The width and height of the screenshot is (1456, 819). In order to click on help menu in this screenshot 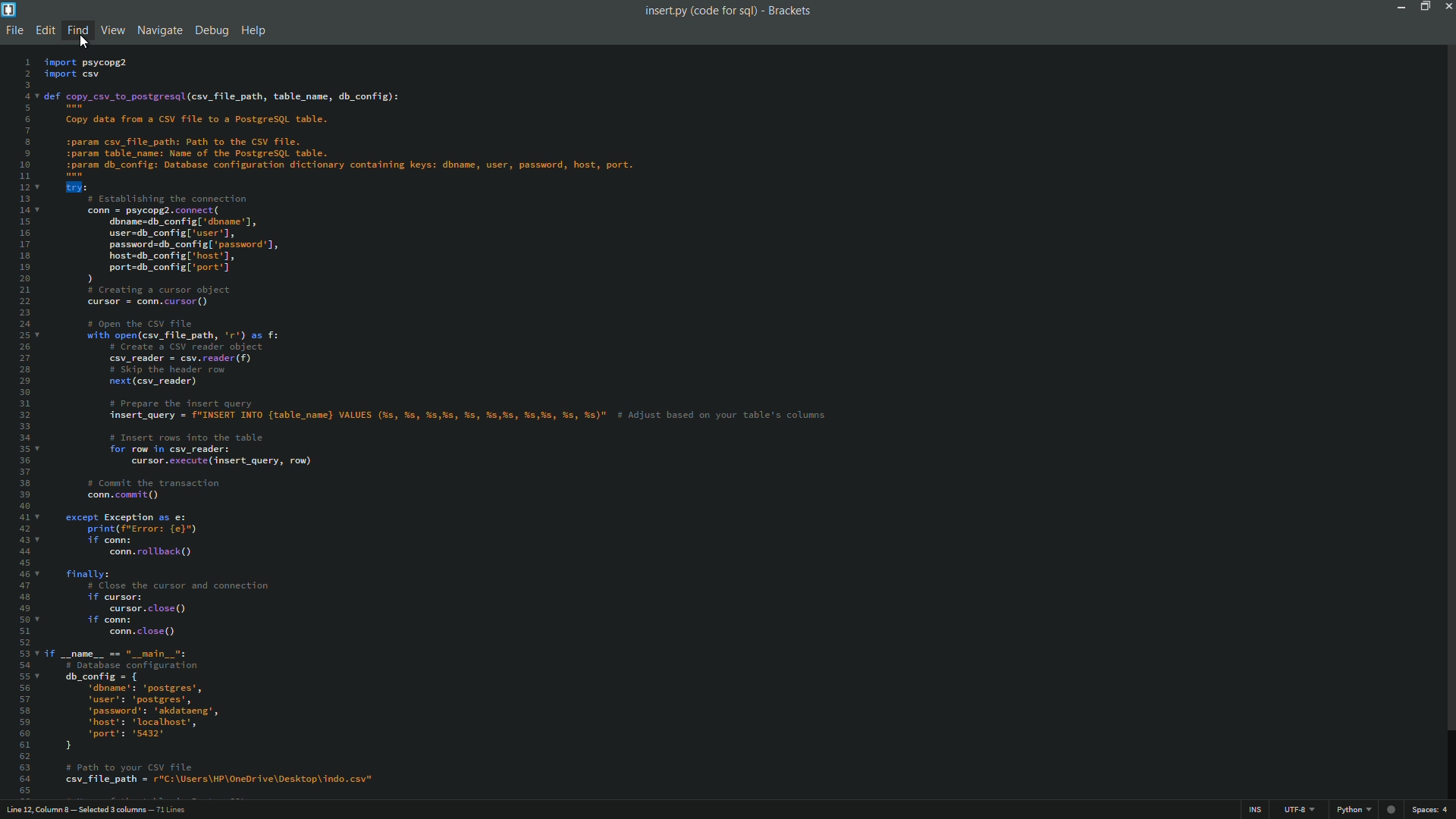, I will do `click(256, 31)`.